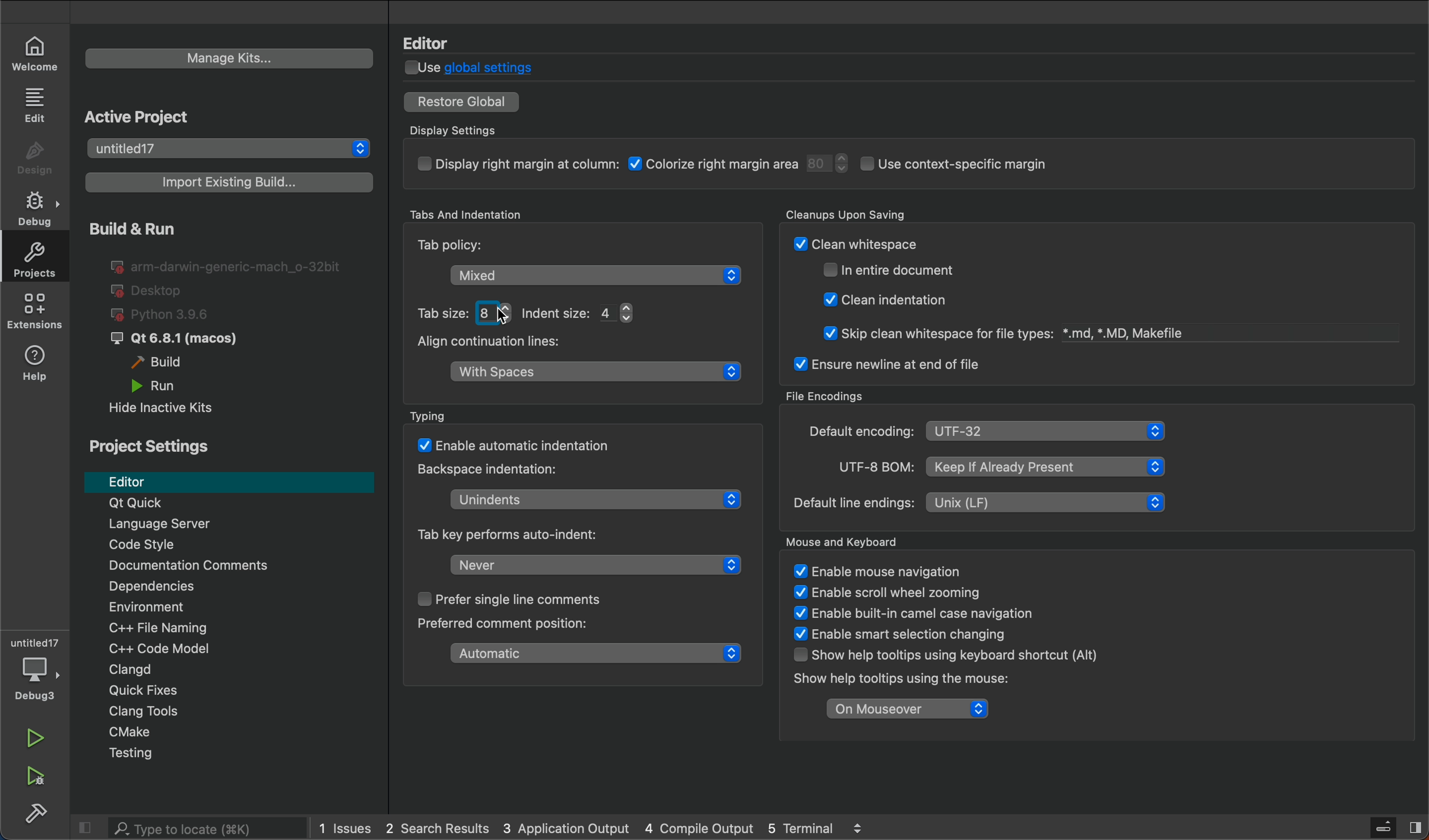  What do you see at coordinates (897, 270) in the screenshot?
I see `enntire document` at bounding box center [897, 270].